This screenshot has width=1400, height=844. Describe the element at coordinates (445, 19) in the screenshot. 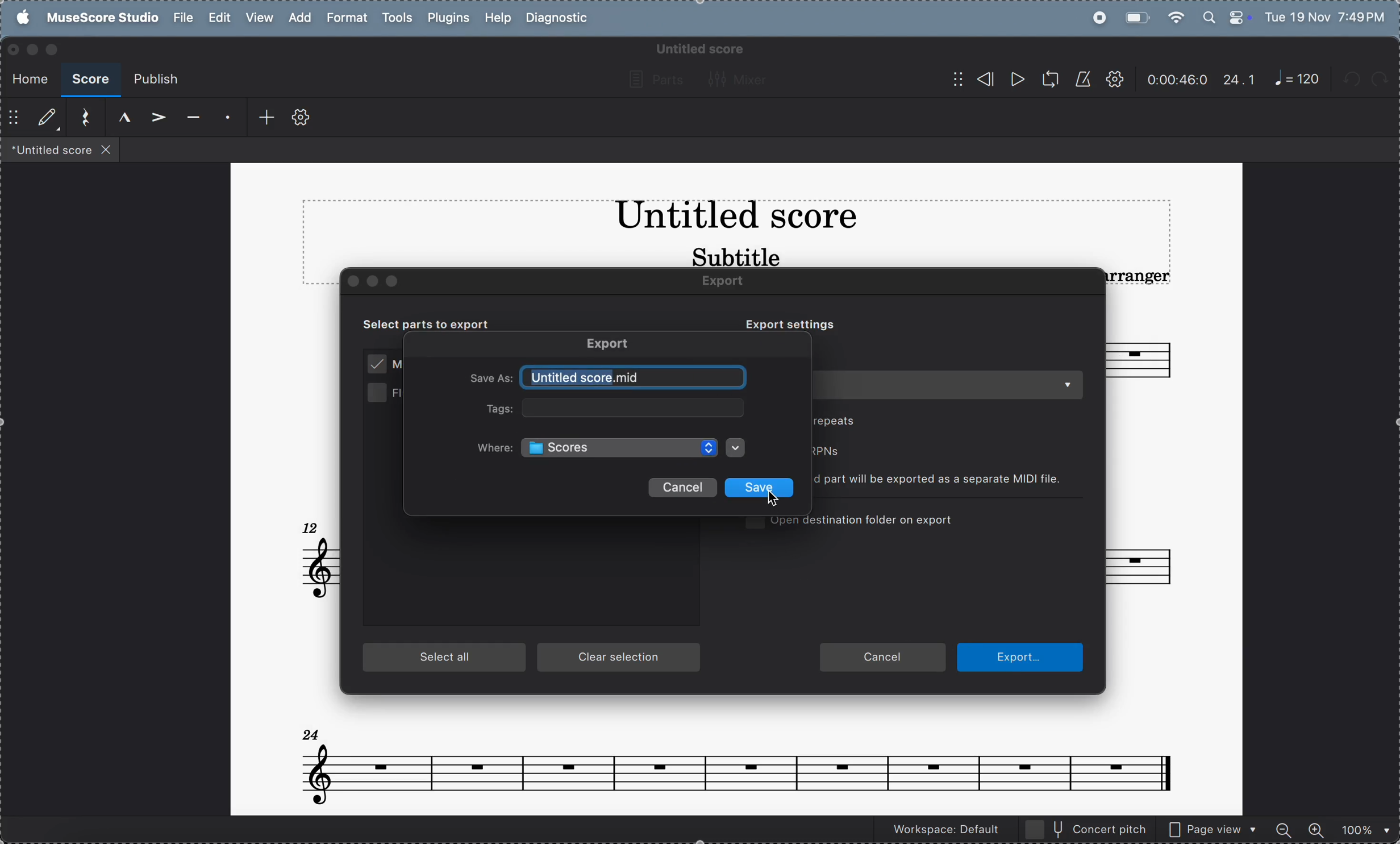

I see `plugins` at that location.